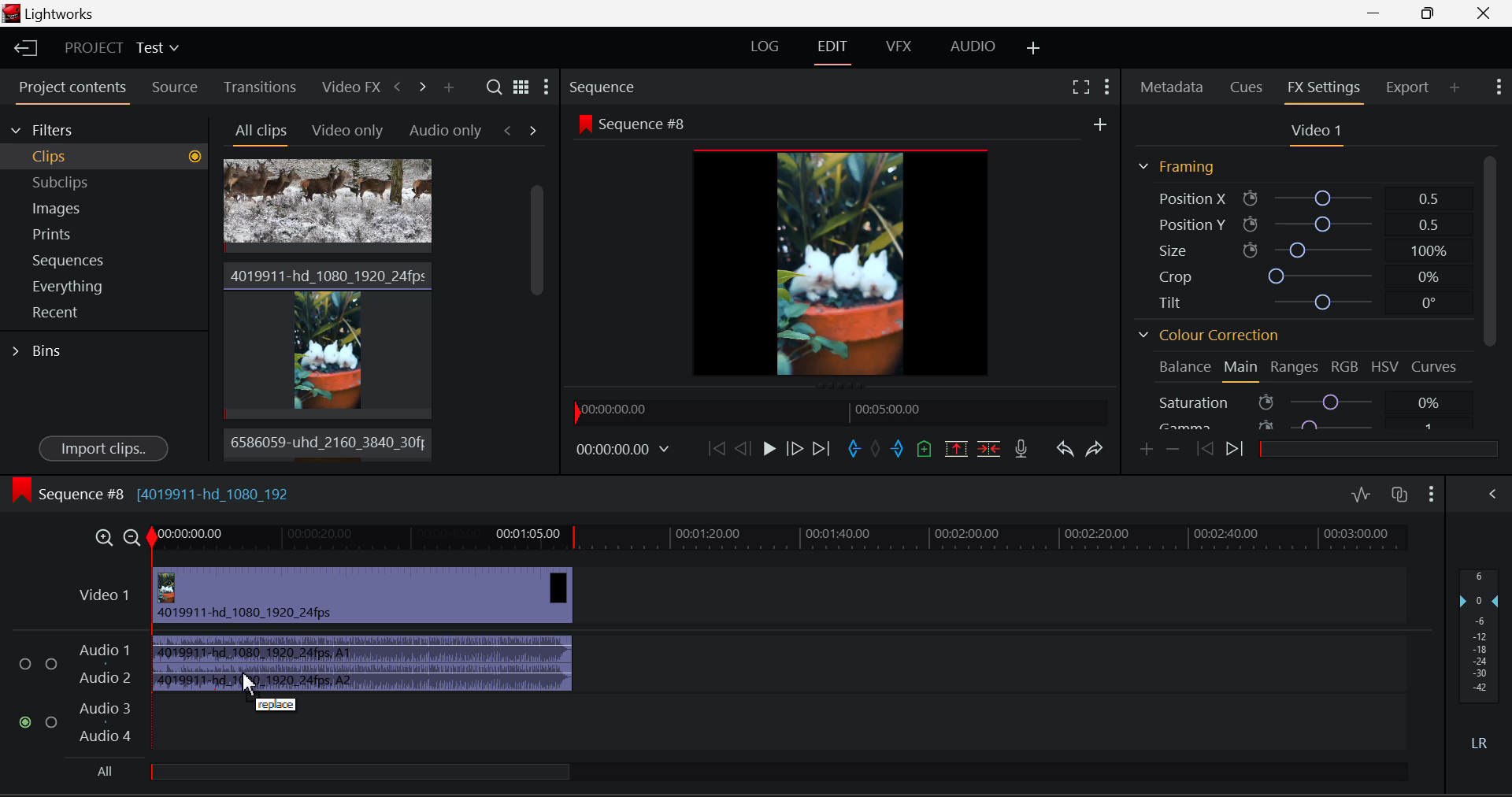 The image size is (1512, 797). Describe the element at coordinates (1181, 369) in the screenshot. I see `Balance` at that location.